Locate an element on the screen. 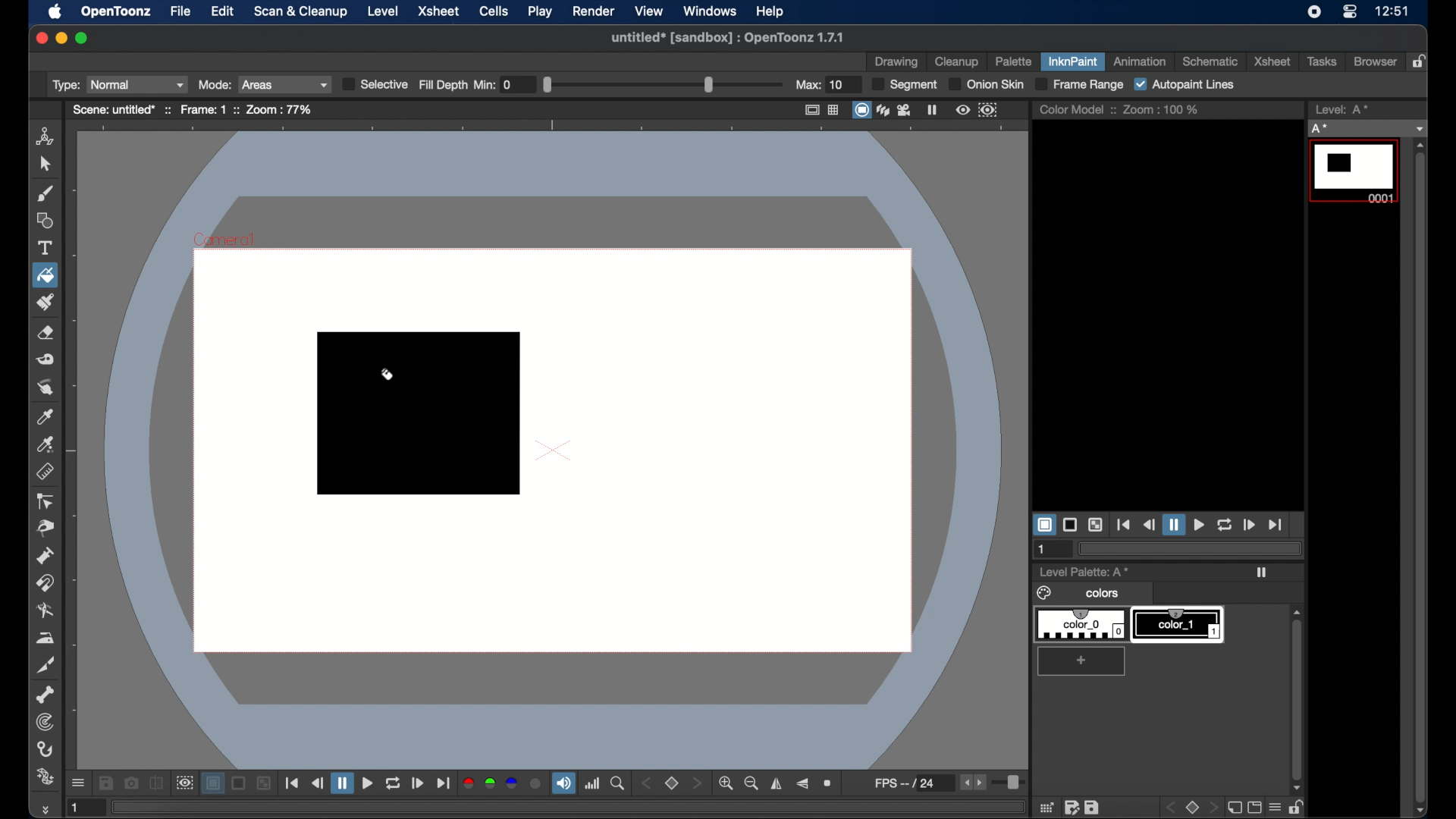 Image resolution: width=1456 pixels, height=819 pixels. jump to start is located at coordinates (1124, 525).